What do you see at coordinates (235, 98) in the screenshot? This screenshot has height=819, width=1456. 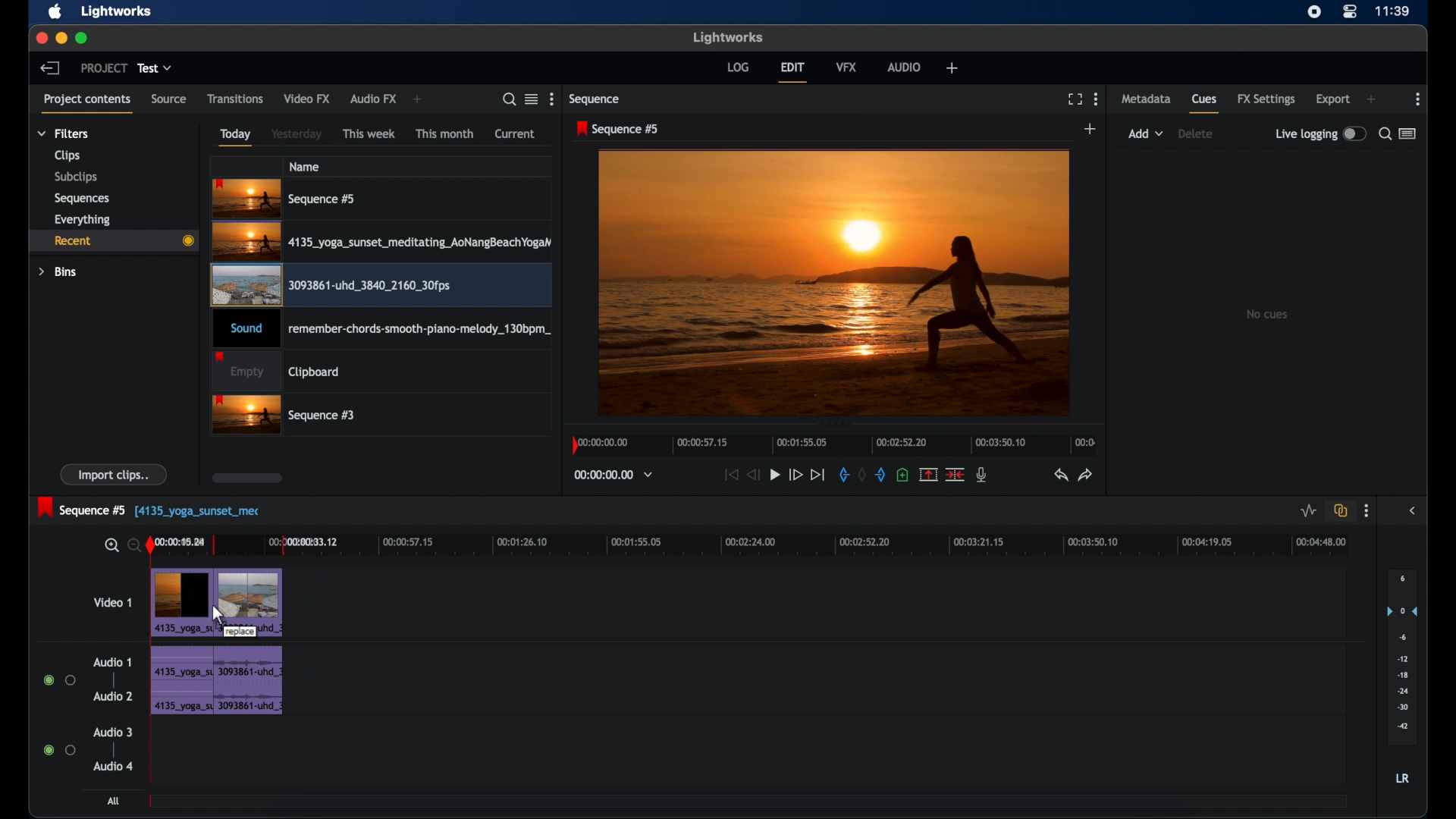 I see `transitions` at bounding box center [235, 98].